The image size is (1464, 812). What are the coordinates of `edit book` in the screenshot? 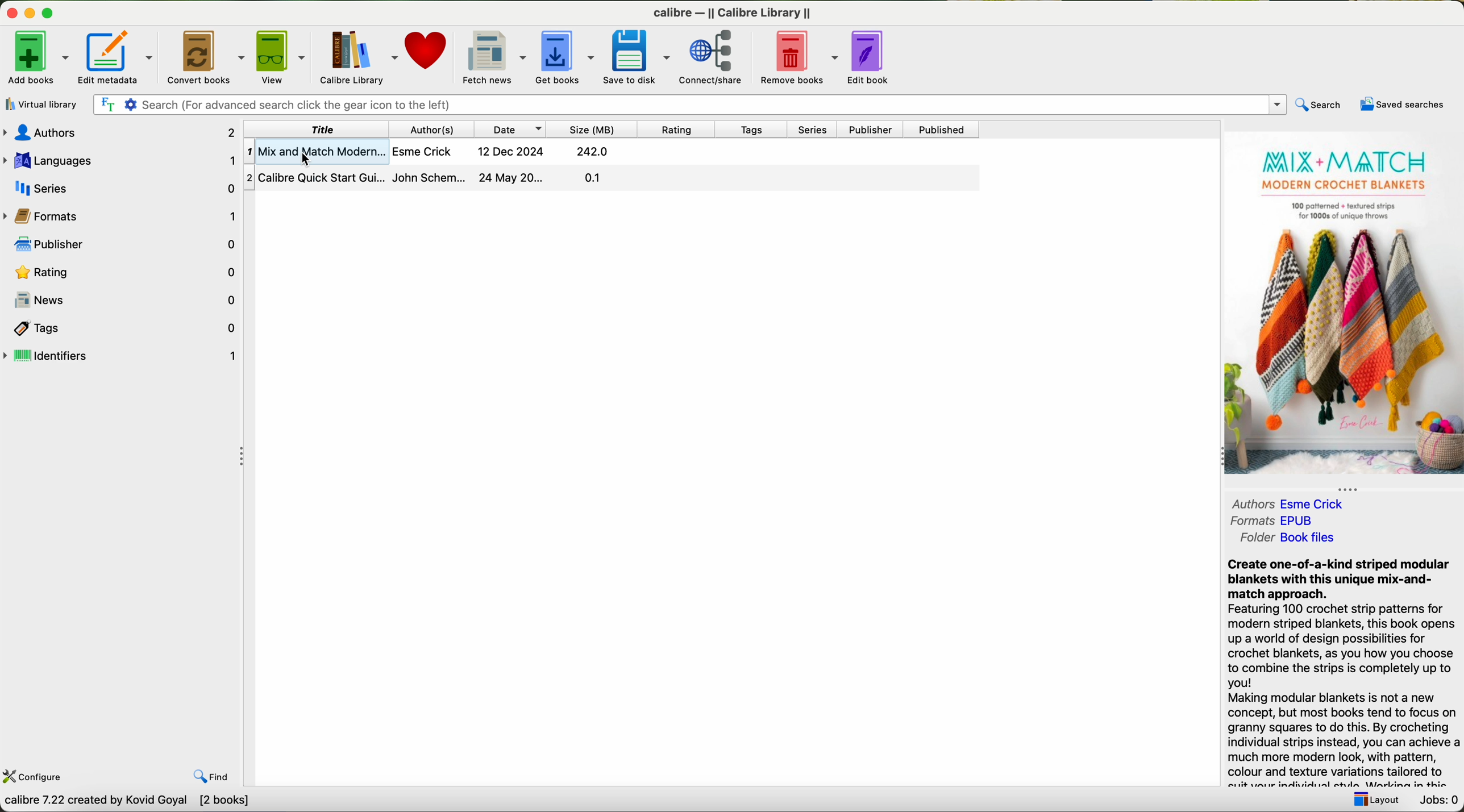 It's located at (871, 57).